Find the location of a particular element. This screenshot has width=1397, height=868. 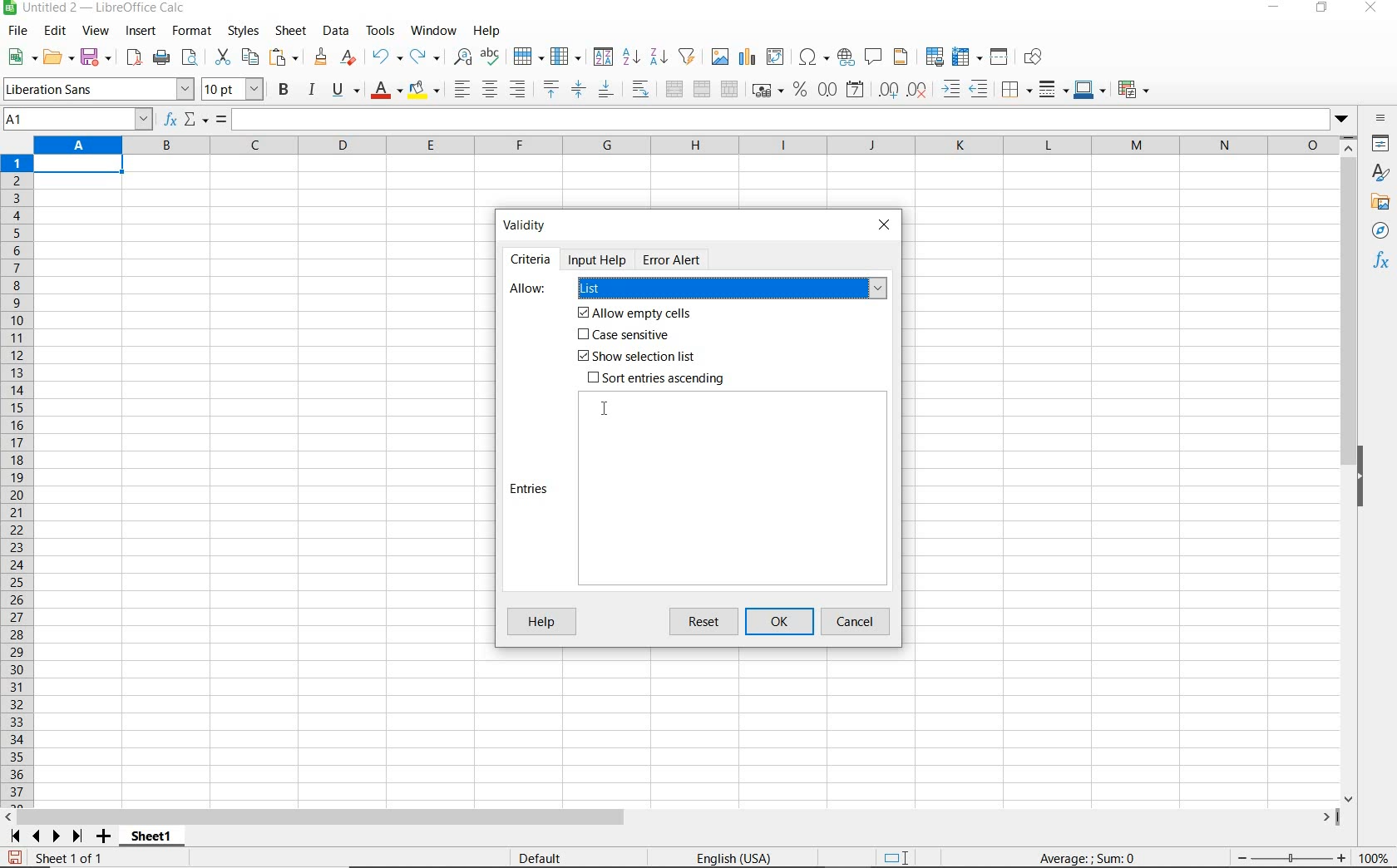

define print area is located at coordinates (933, 57).